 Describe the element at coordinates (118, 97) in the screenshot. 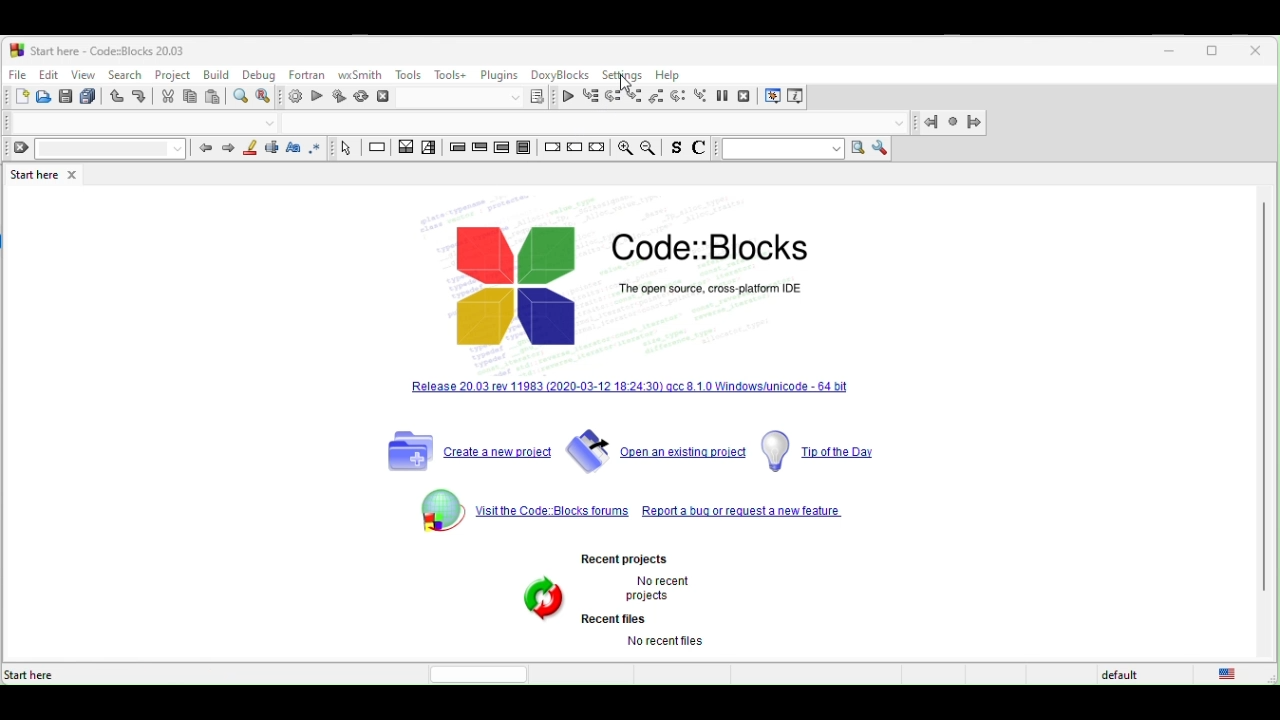

I see `undo` at that location.